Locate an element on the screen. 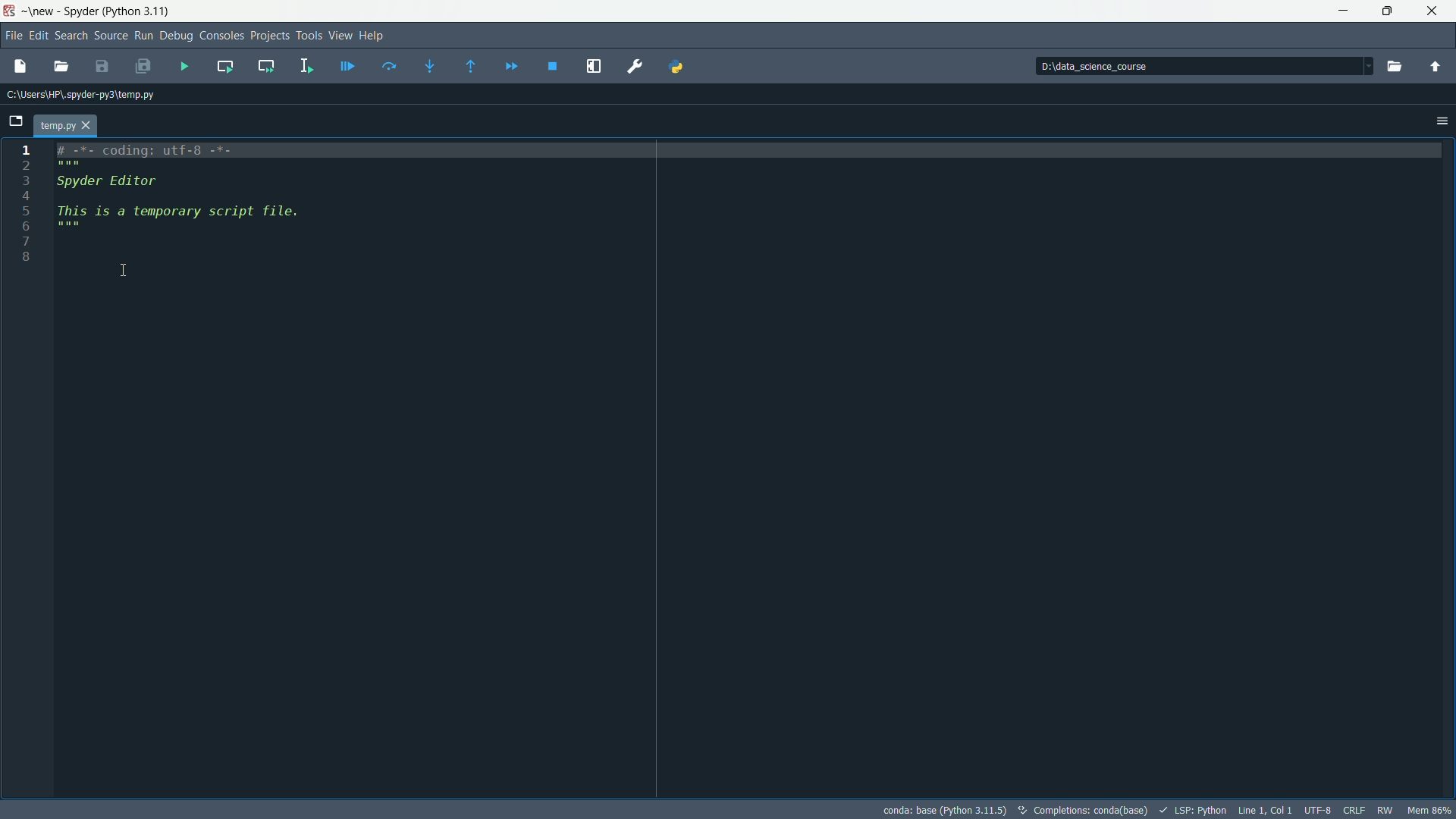  C:\Users\HP\.spyder-py3\temp.py is located at coordinates (90, 98).